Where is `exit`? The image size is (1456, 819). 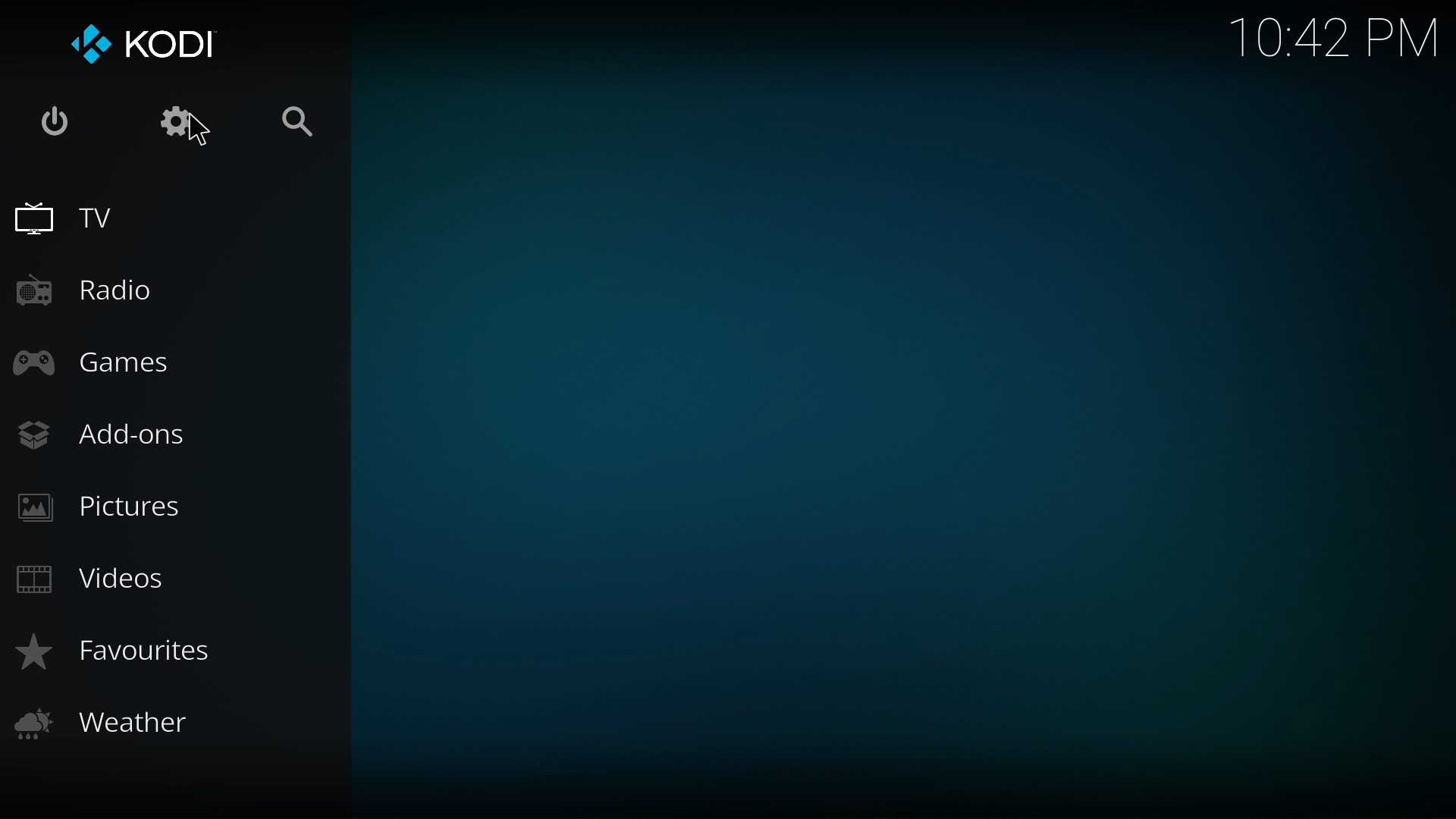
exit is located at coordinates (53, 121).